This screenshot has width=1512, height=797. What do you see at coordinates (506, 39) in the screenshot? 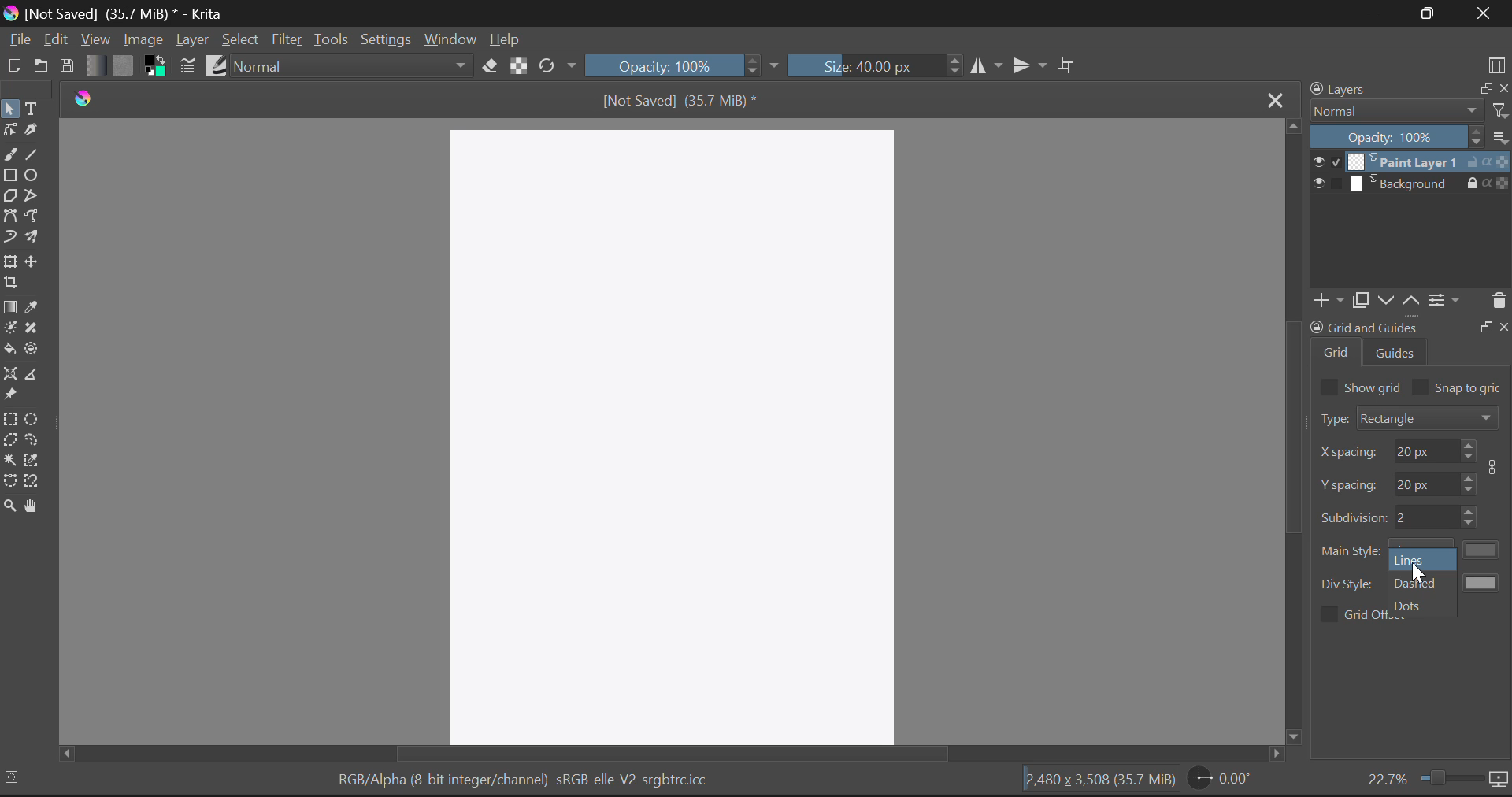
I see `Help` at bounding box center [506, 39].